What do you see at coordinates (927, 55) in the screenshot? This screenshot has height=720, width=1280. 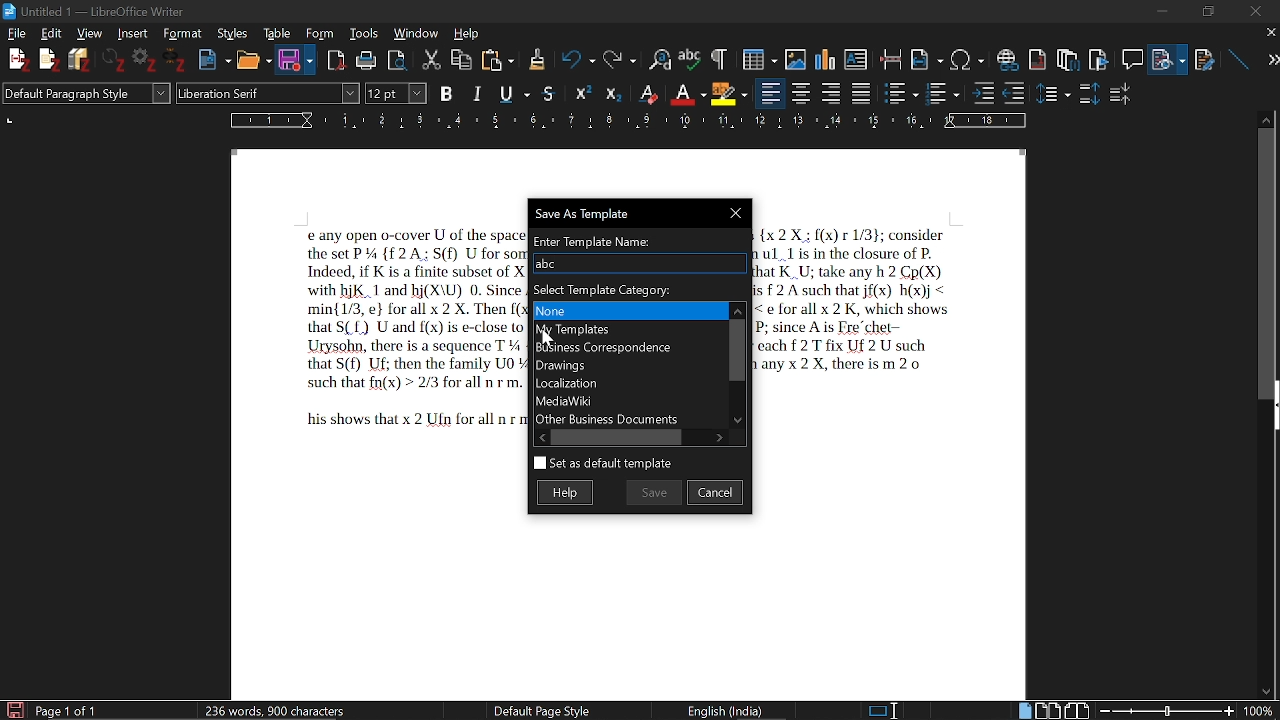 I see `Insert field` at bounding box center [927, 55].